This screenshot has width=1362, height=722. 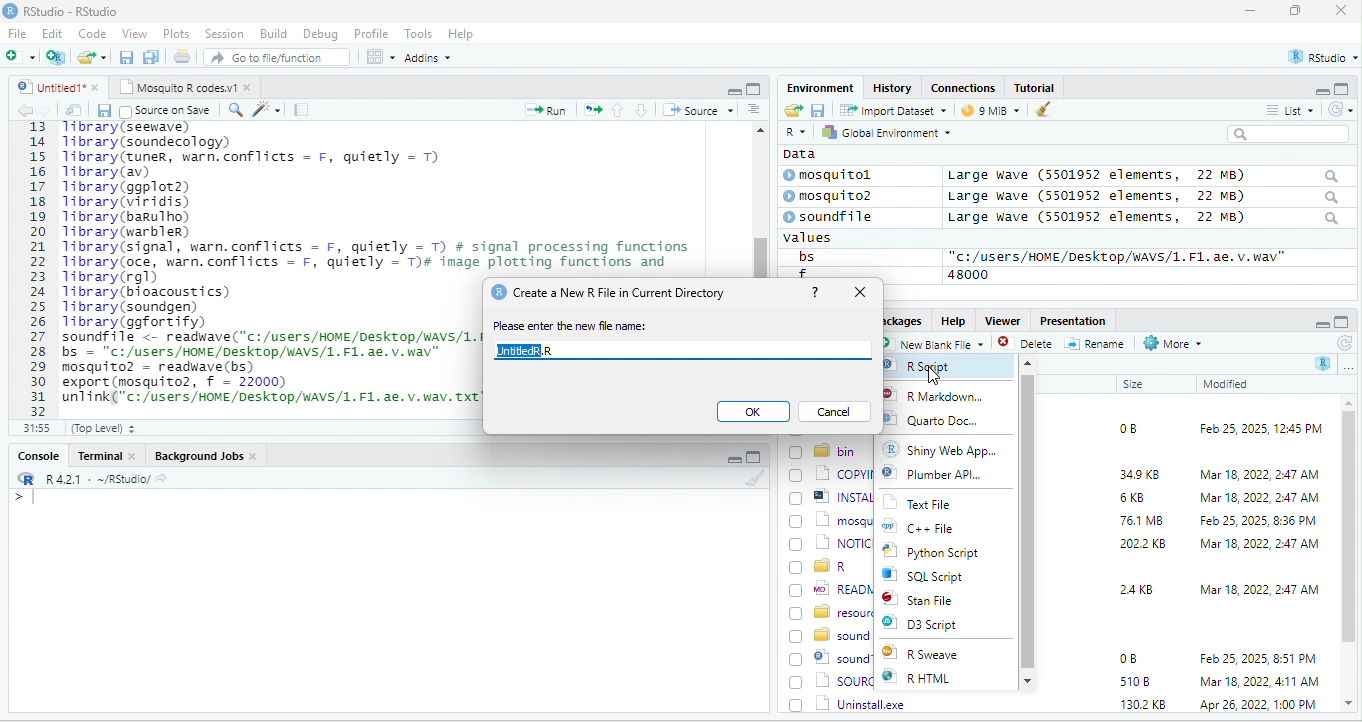 I want to click on Size, so click(x=1134, y=385).